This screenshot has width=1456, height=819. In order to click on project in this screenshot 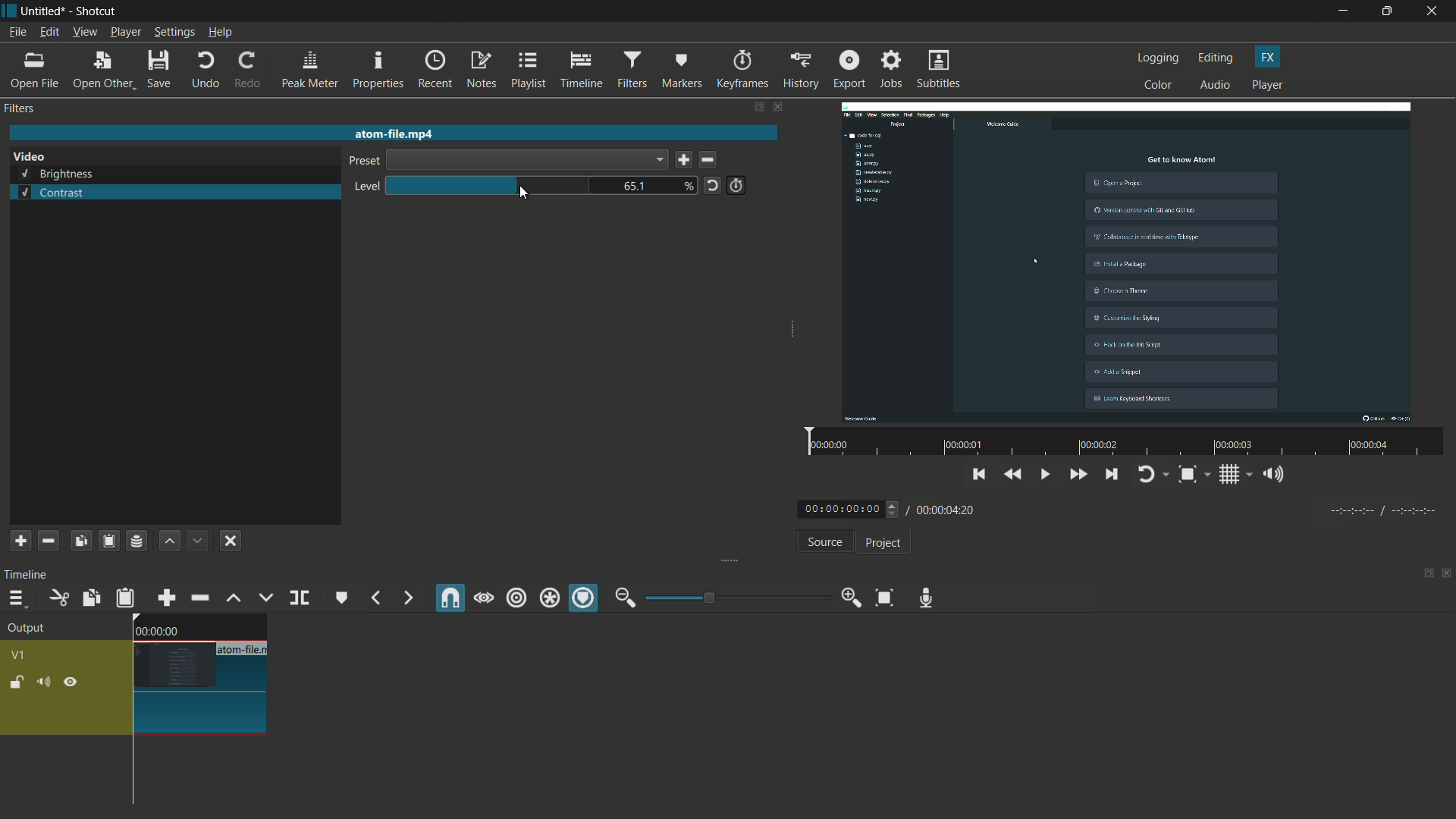, I will do `click(881, 543)`.